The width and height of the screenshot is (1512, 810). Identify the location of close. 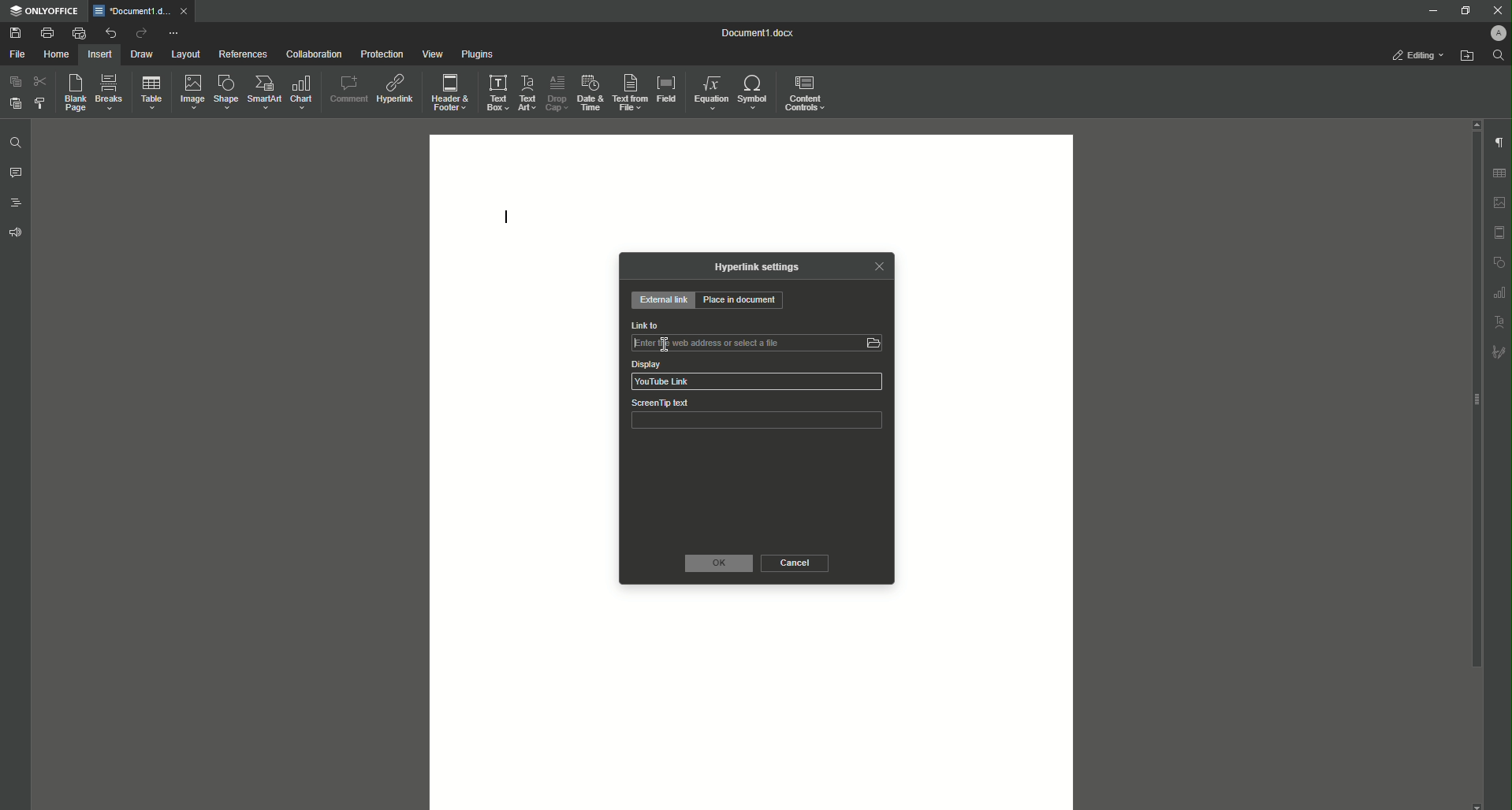
(185, 10).